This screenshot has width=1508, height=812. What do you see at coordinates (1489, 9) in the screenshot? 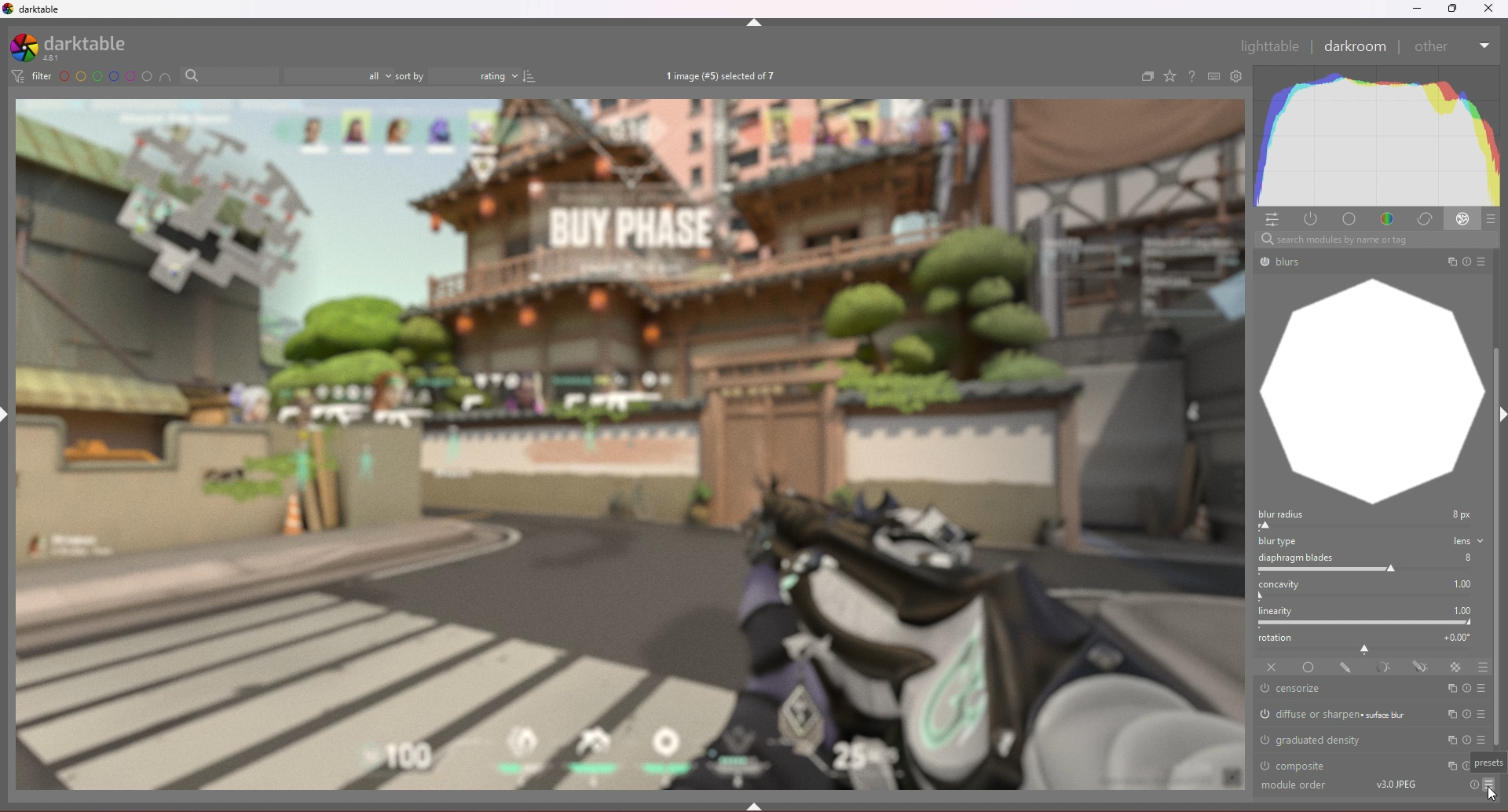
I see `` at bounding box center [1489, 9].